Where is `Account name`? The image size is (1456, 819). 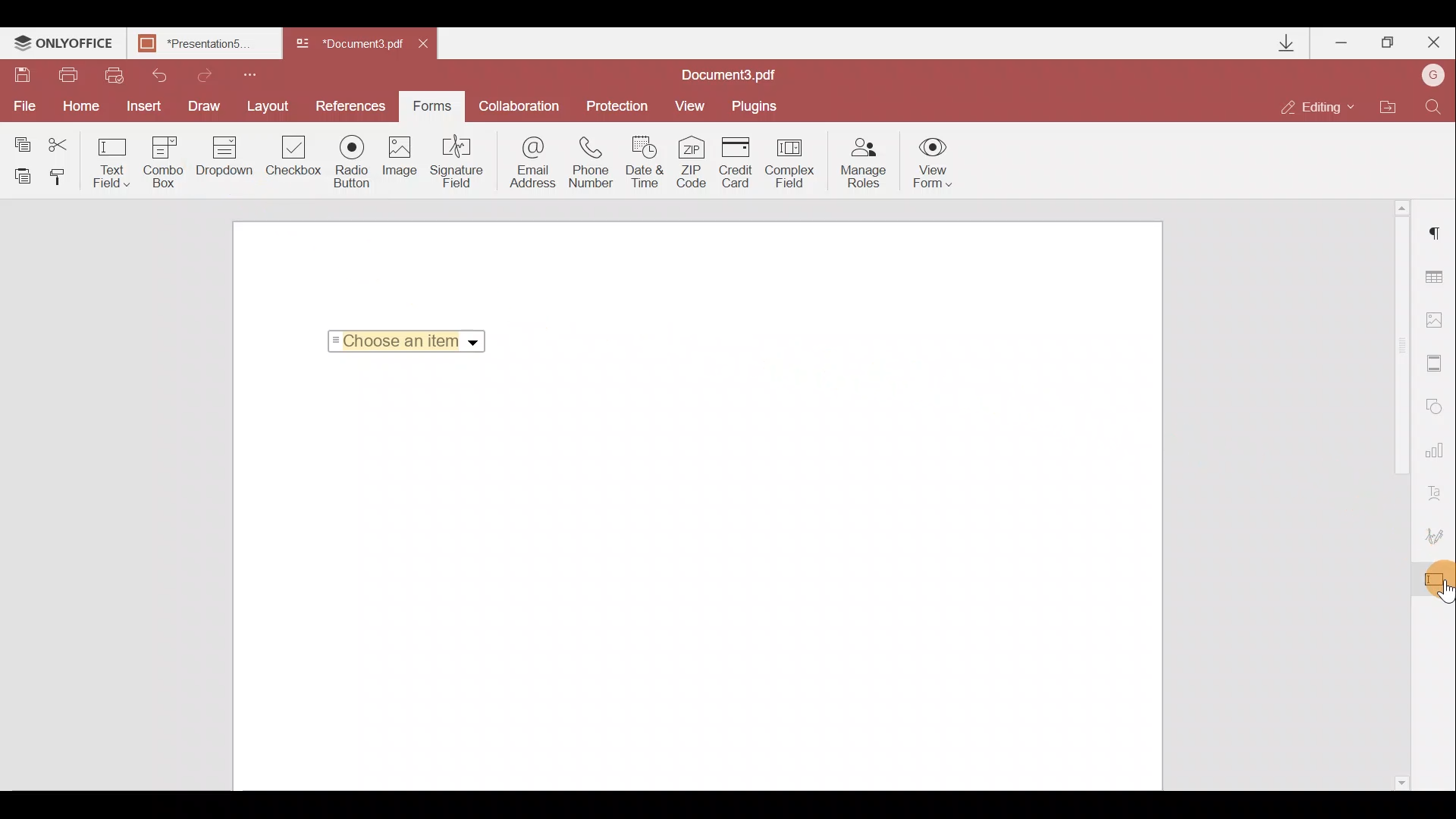
Account name is located at coordinates (1433, 74).